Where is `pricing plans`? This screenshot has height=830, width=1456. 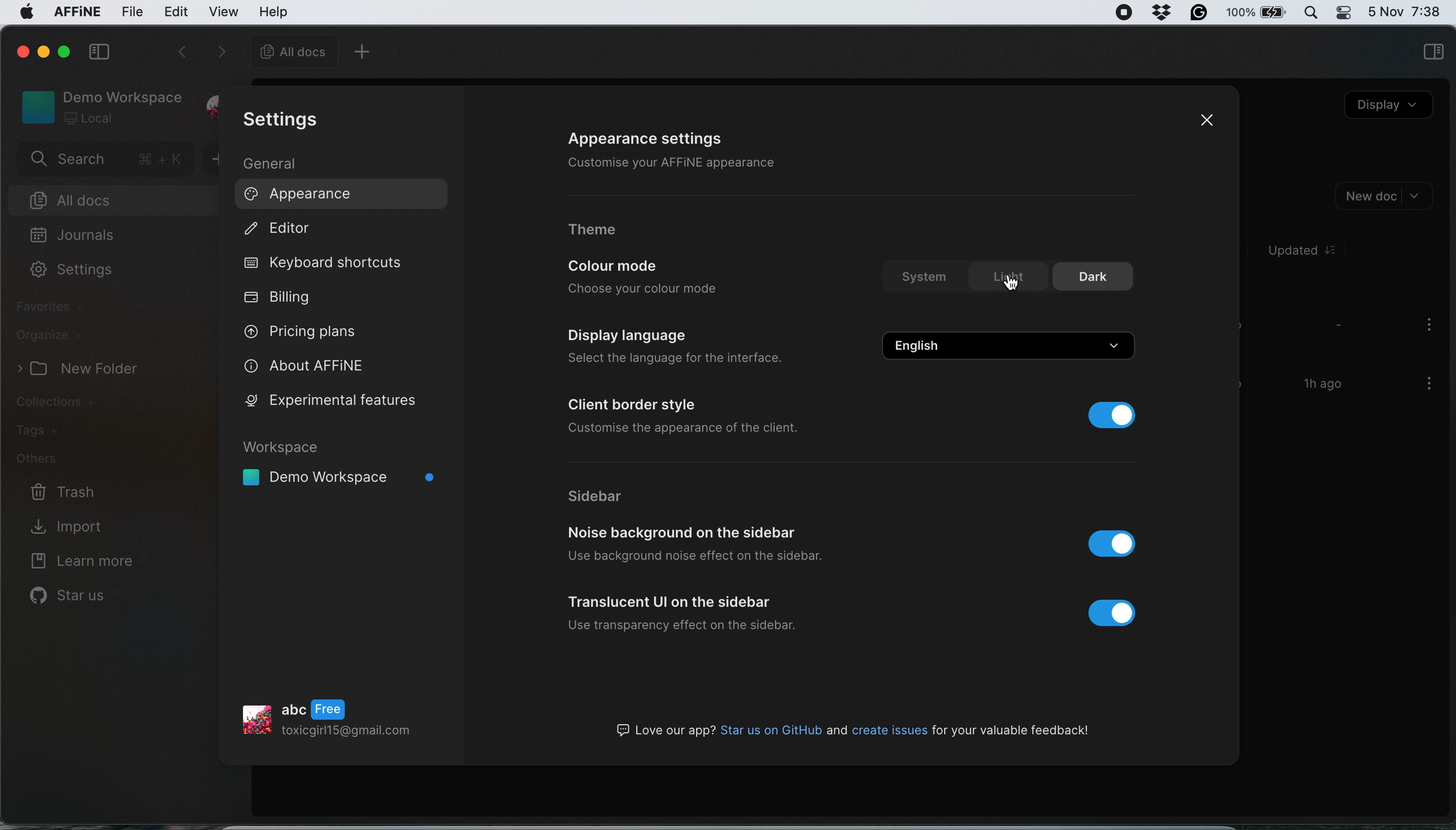
pricing plans is located at coordinates (318, 333).